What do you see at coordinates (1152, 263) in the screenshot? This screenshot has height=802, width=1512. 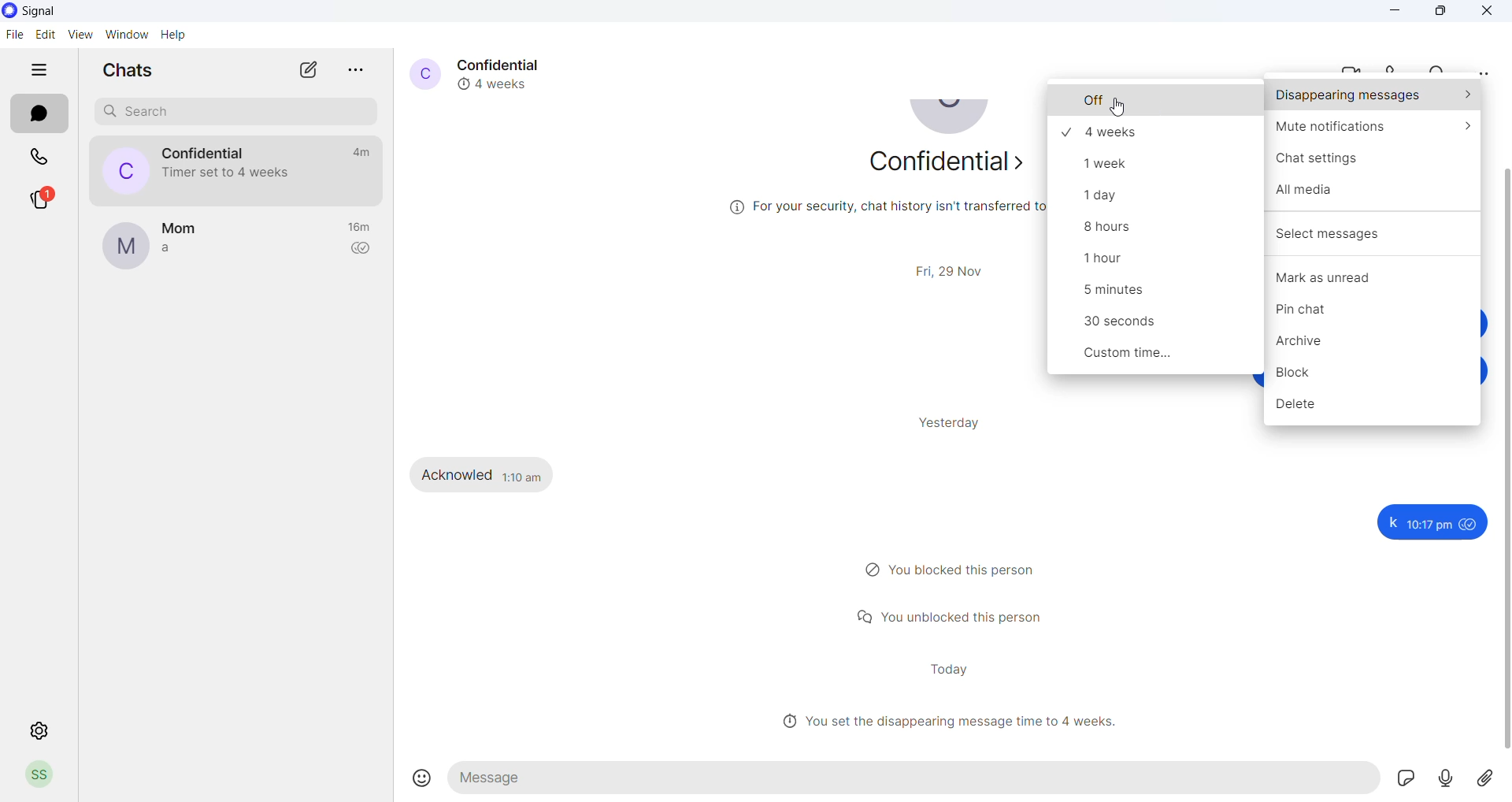 I see `disappearing messages timeframe` at bounding box center [1152, 263].